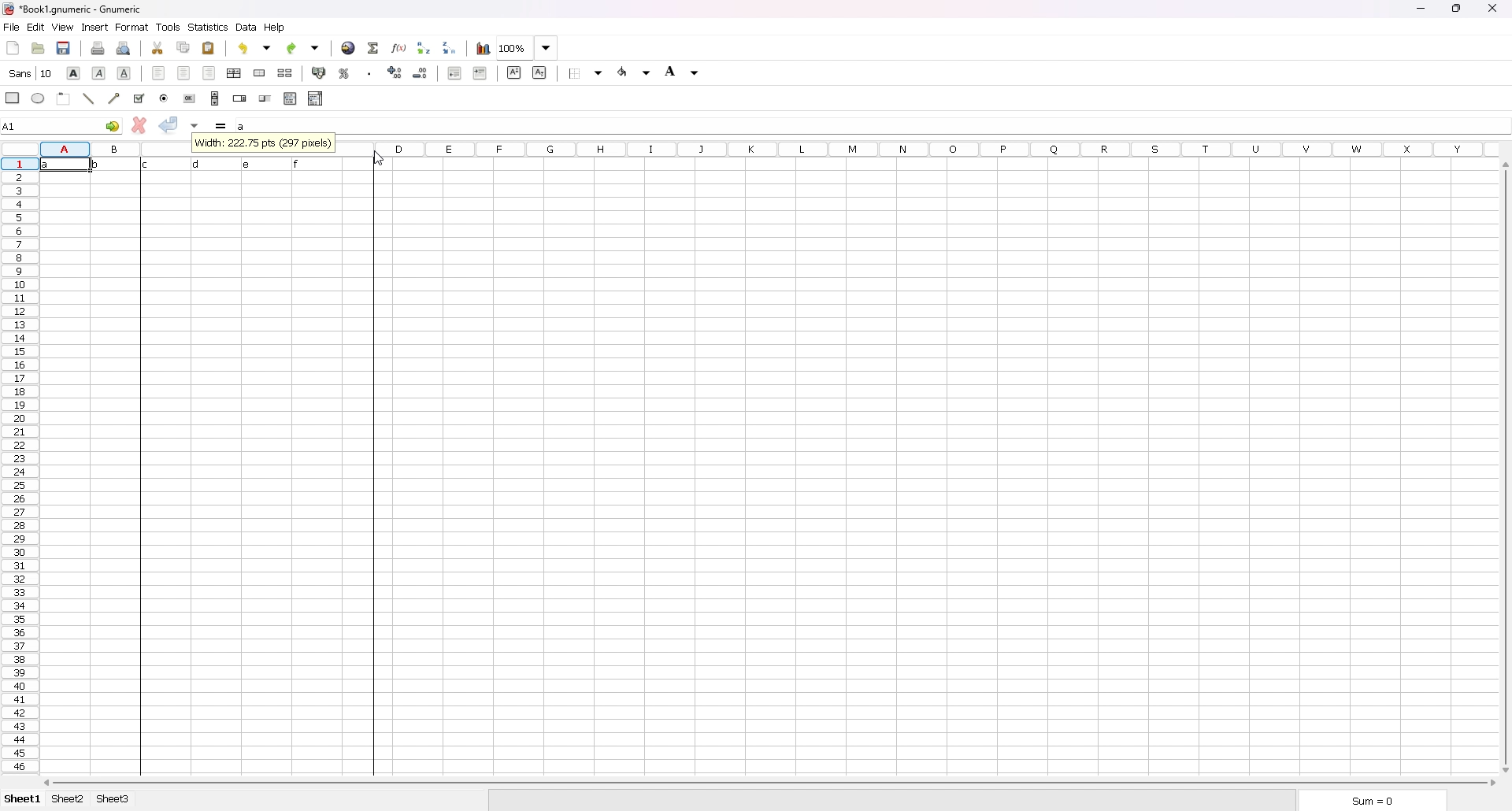  I want to click on info, so click(265, 144).